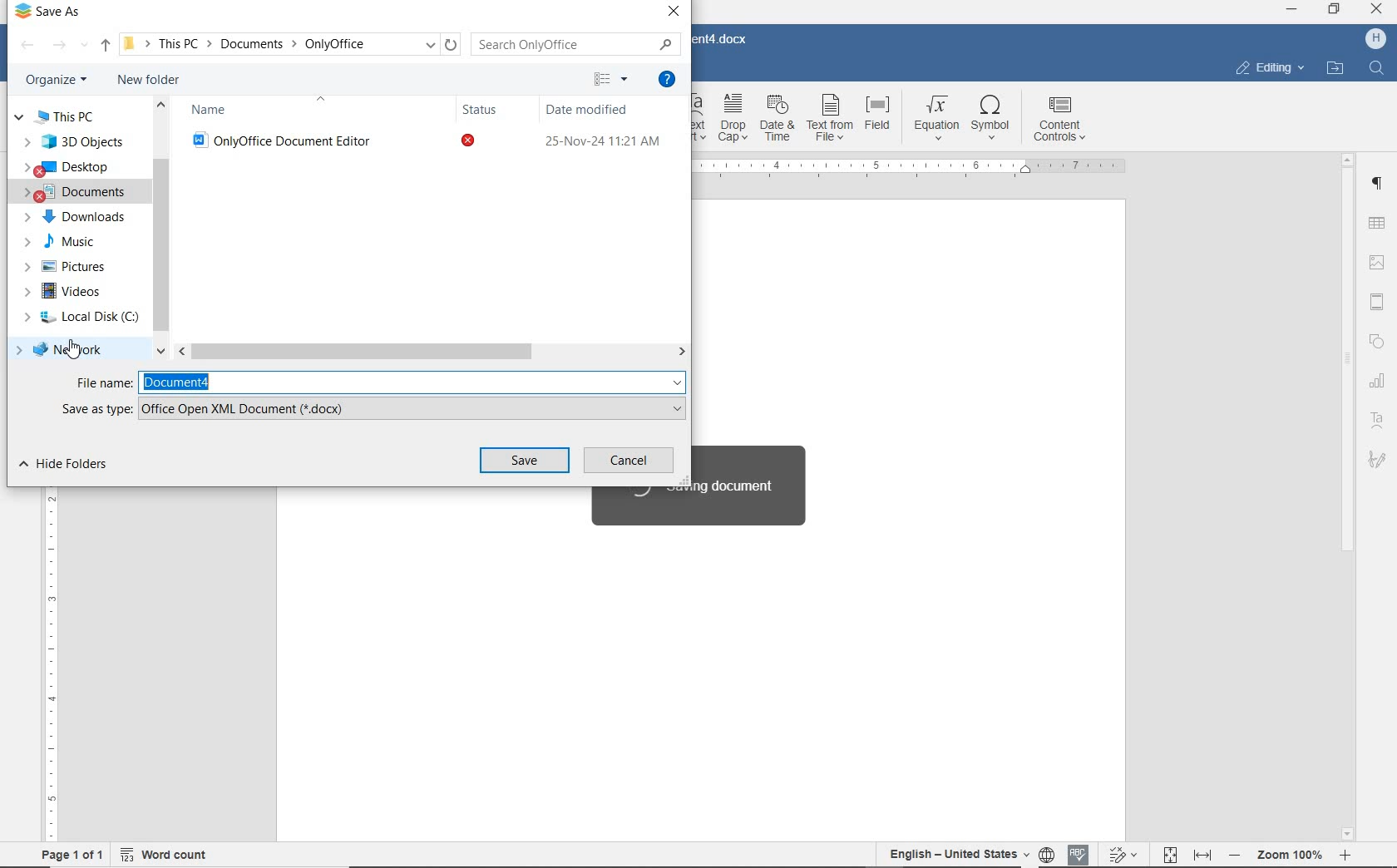 Image resolution: width=1397 pixels, height=868 pixels. What do you see at coordinates (49, 662) in the screenshot?
I see `ruler` at bounding box center [49, 662].